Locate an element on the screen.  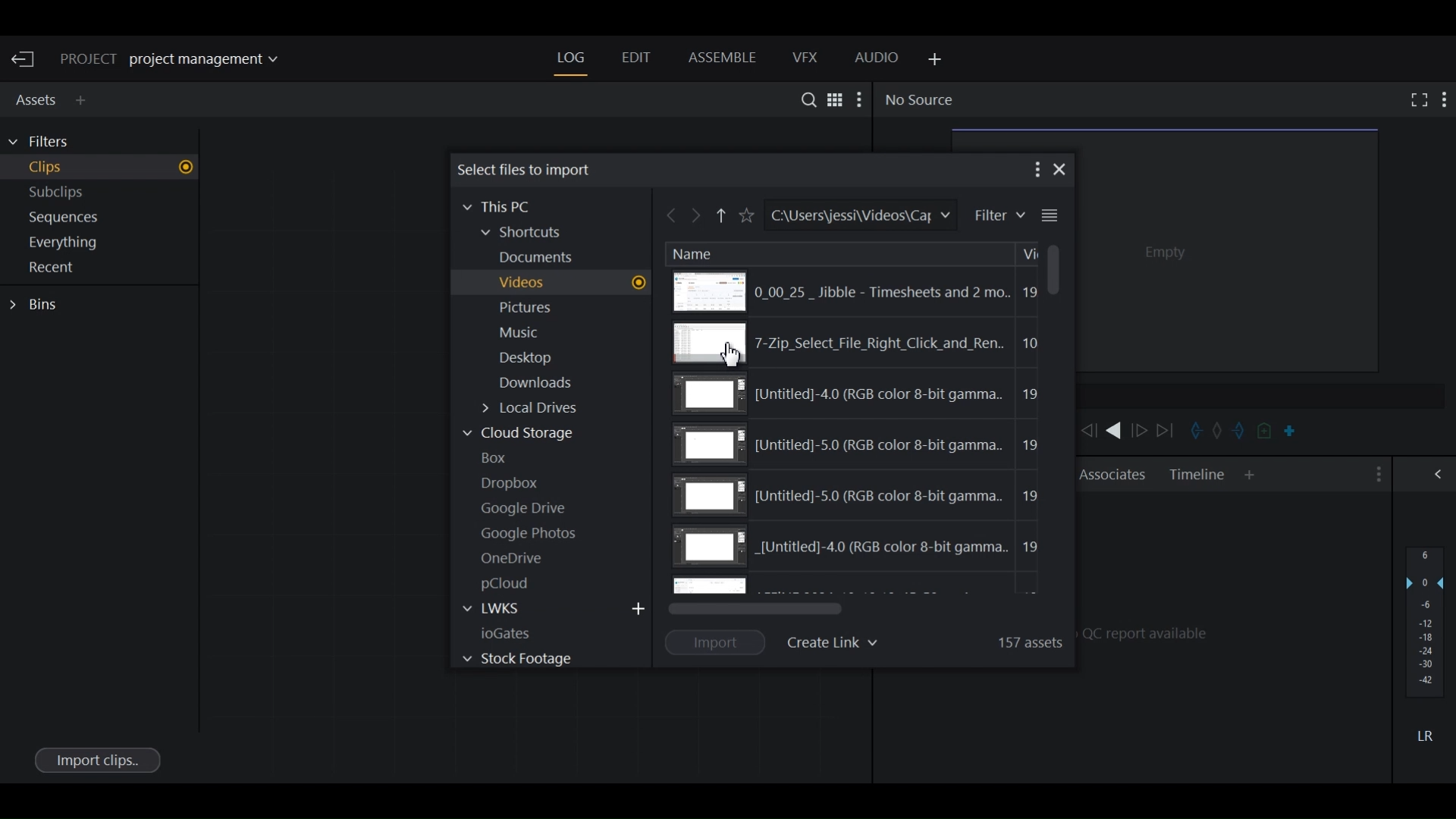
File Location is located at coordinates (858, 215).